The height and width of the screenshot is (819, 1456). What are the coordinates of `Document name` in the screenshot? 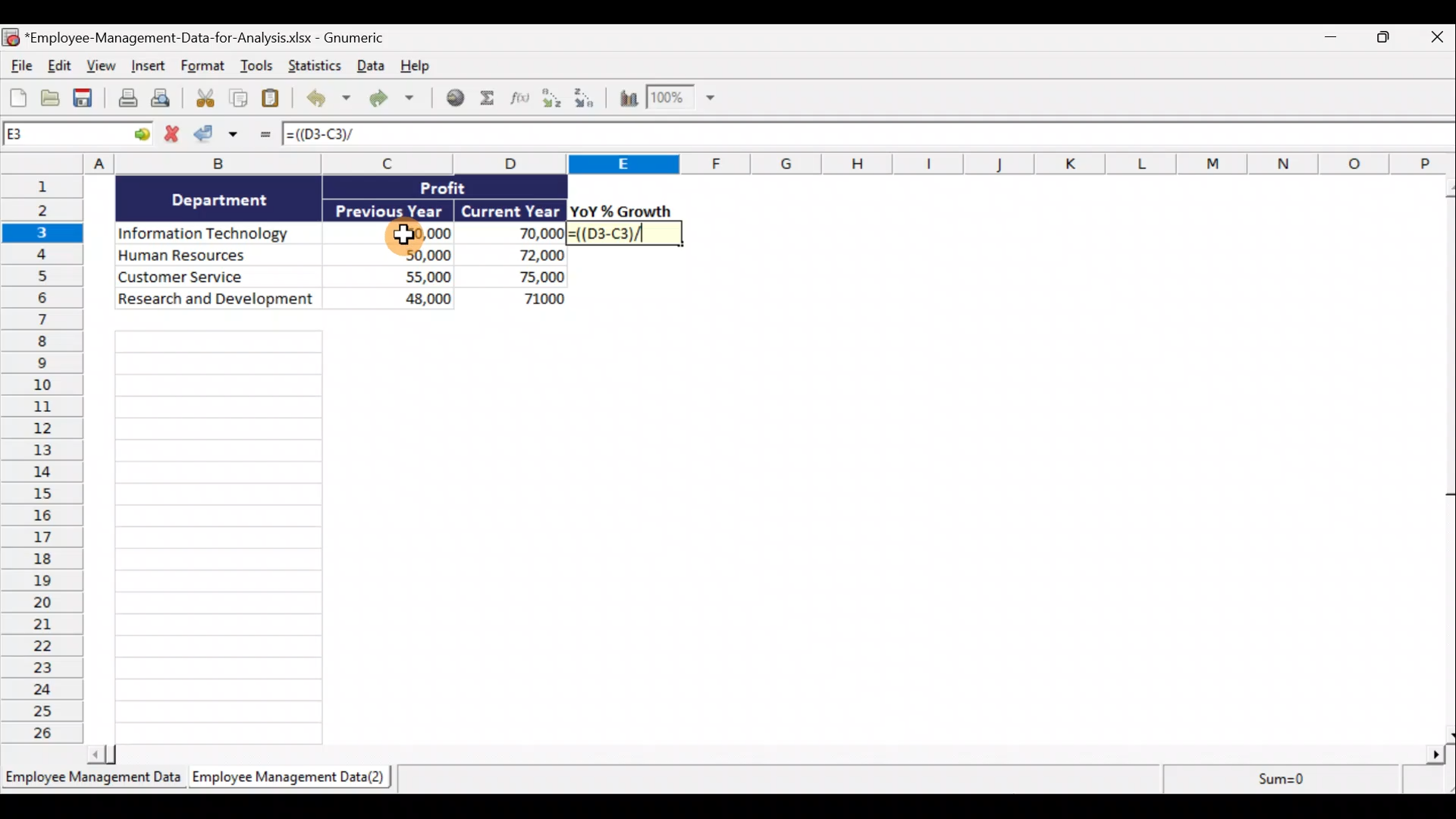 It's located at (208, 36).